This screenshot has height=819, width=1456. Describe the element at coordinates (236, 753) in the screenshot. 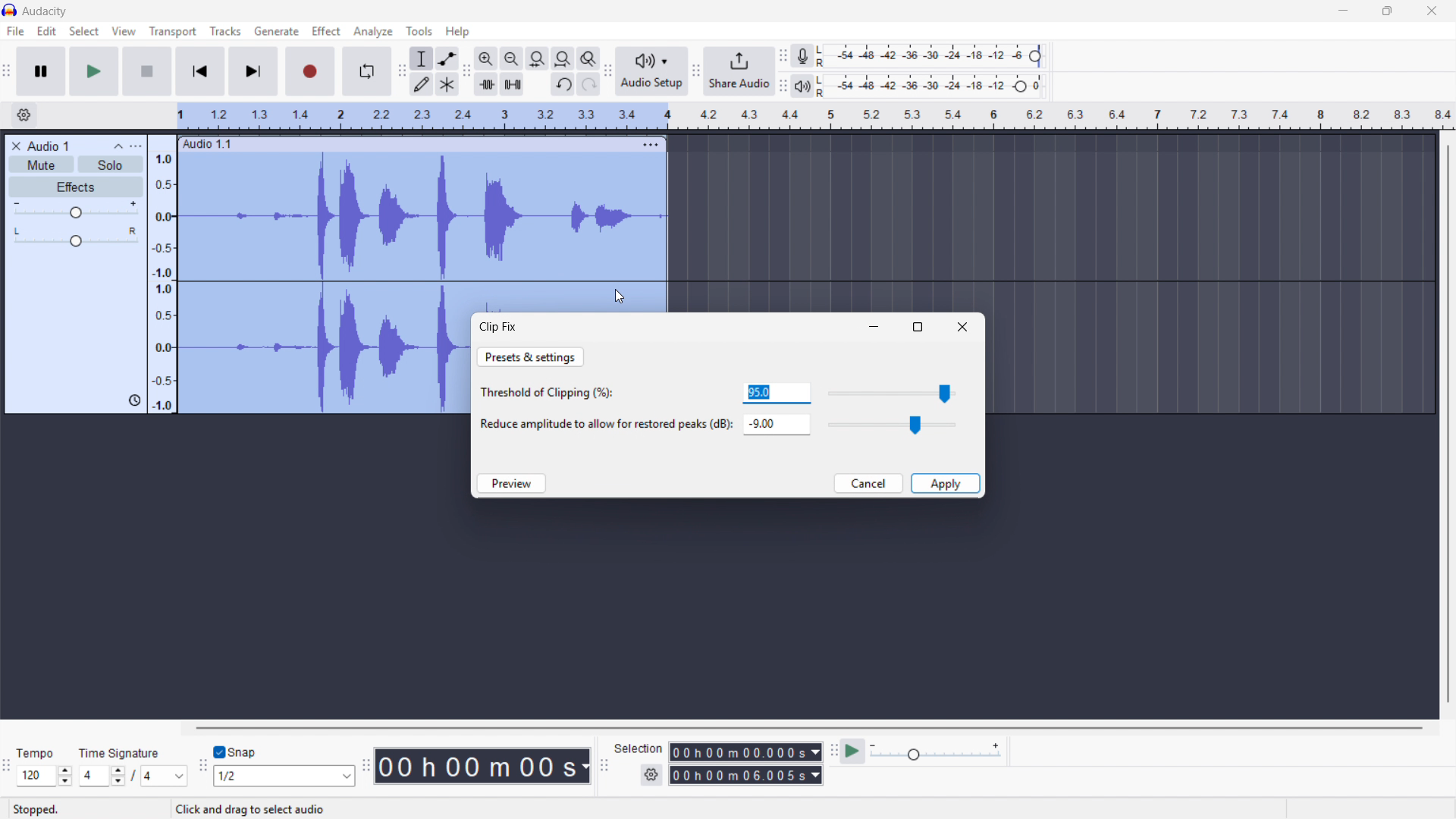

I see `Toggle snap` at that location.